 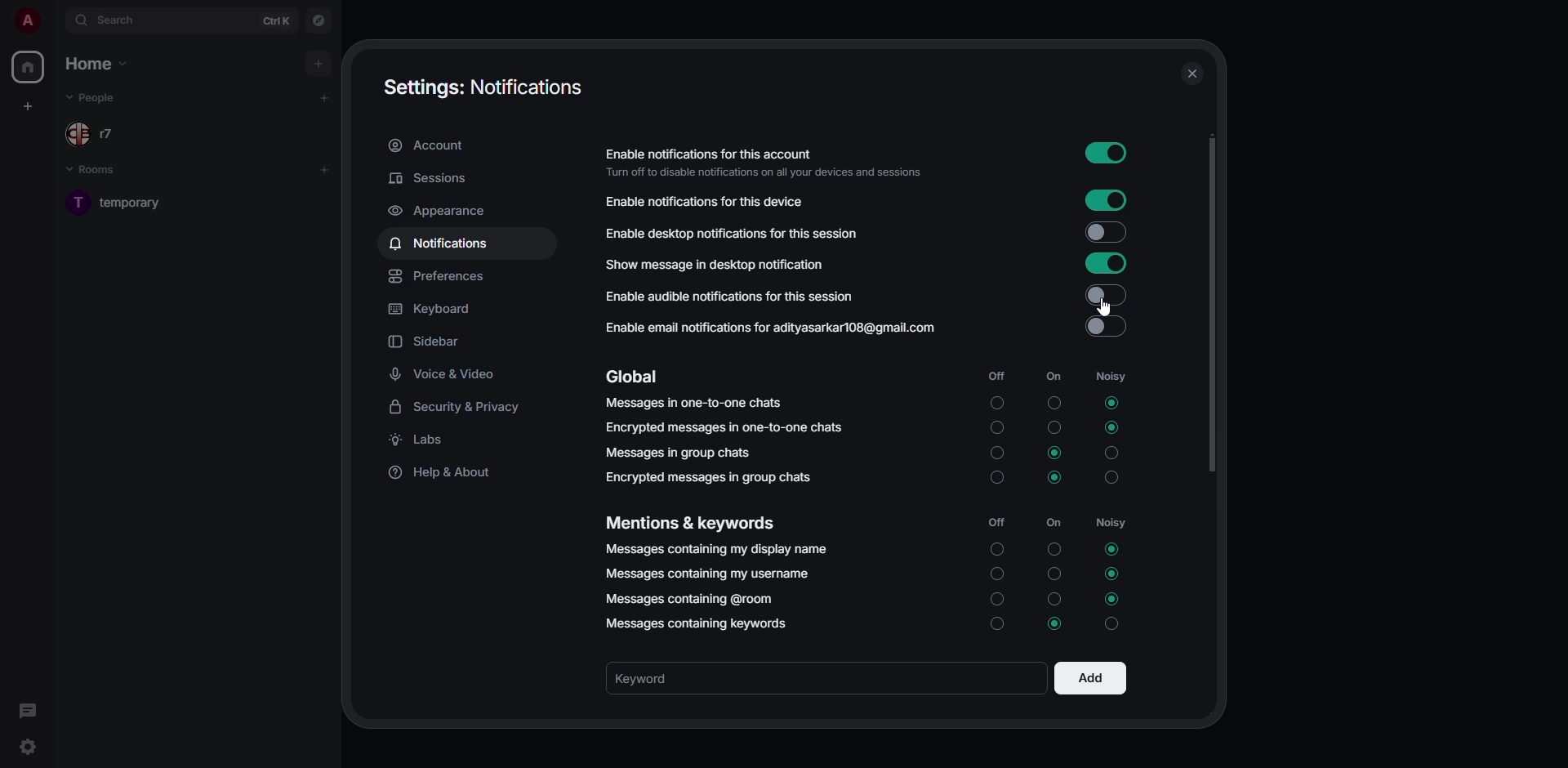 What do you see at coordinates (27, 67) in the screenshot?
I see `home` at bounding box center [27, 67].